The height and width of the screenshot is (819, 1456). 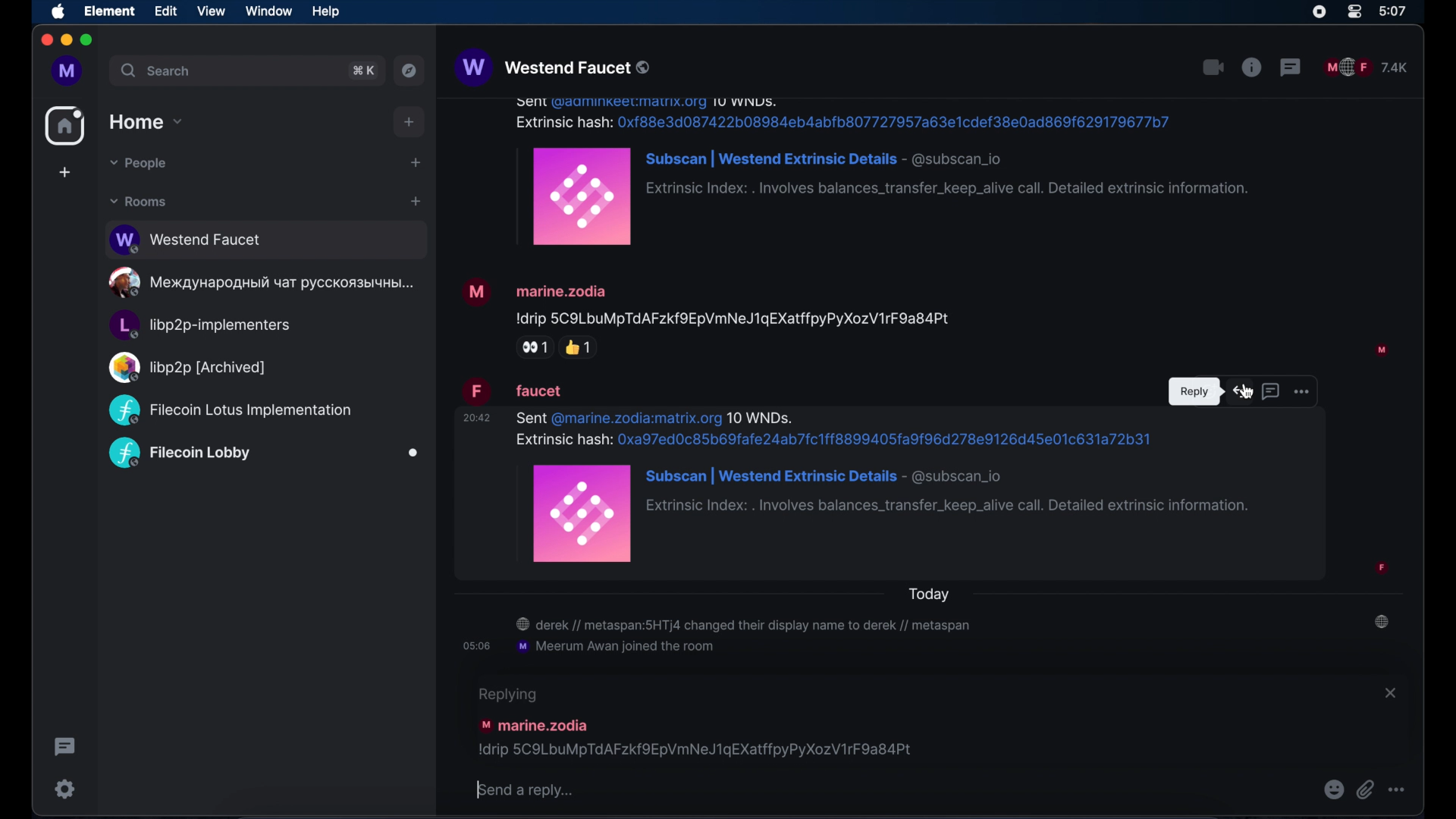 I want to click on Cursor, so click(x=1245, y=391).